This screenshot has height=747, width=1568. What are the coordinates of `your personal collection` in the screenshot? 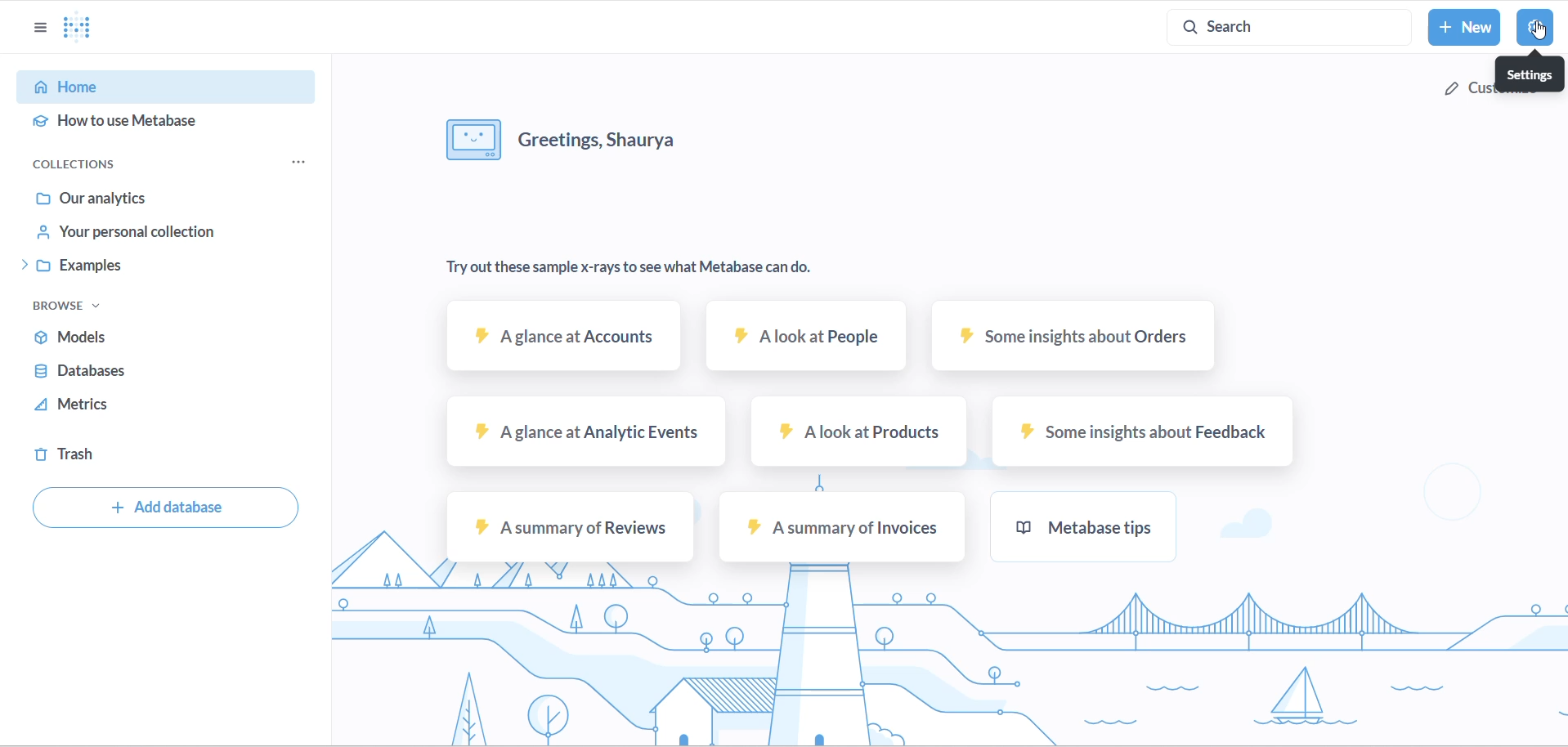 It's located at (145, 235).